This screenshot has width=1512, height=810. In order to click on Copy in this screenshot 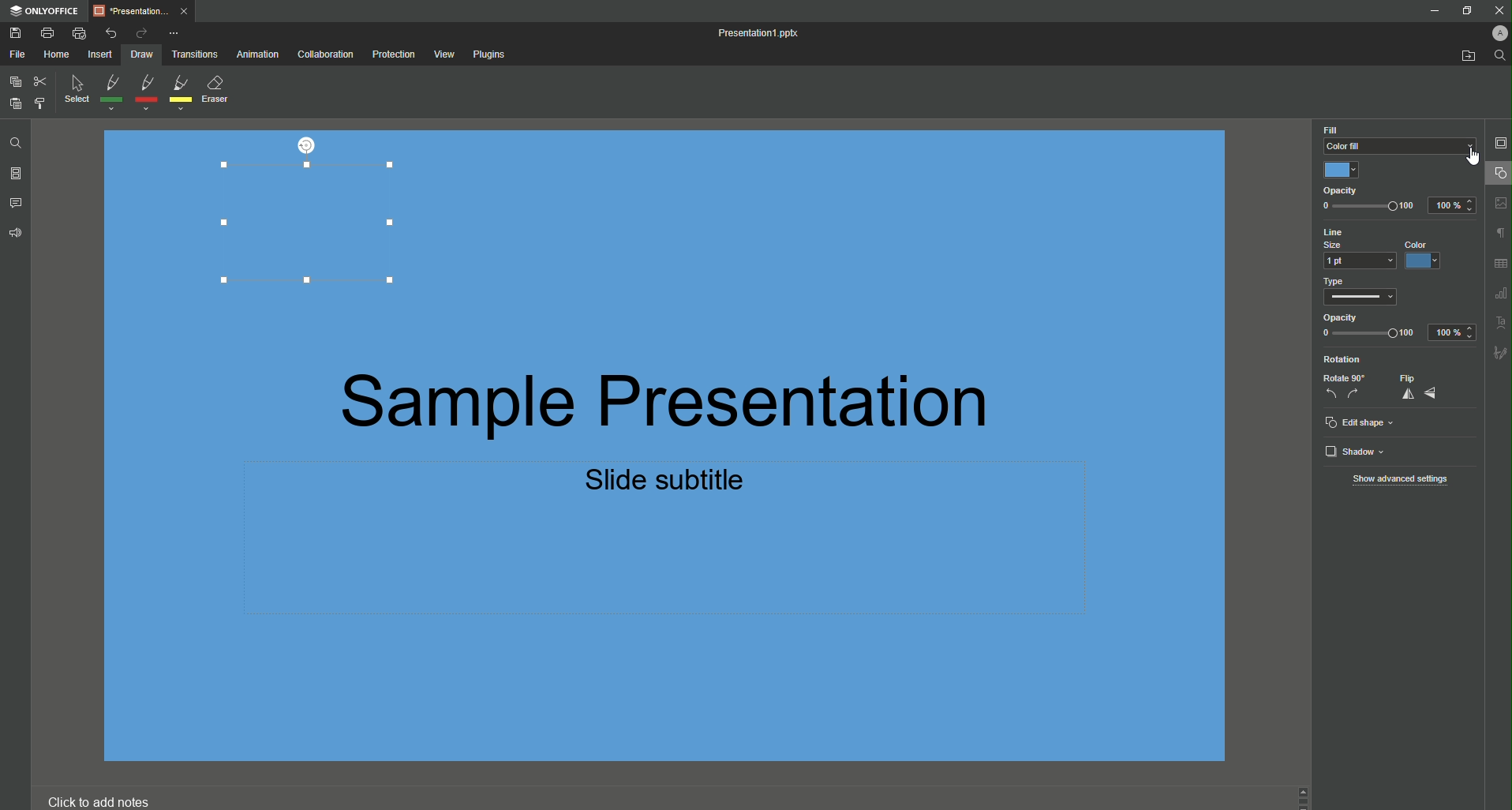, I will do `click(13, 82)`.